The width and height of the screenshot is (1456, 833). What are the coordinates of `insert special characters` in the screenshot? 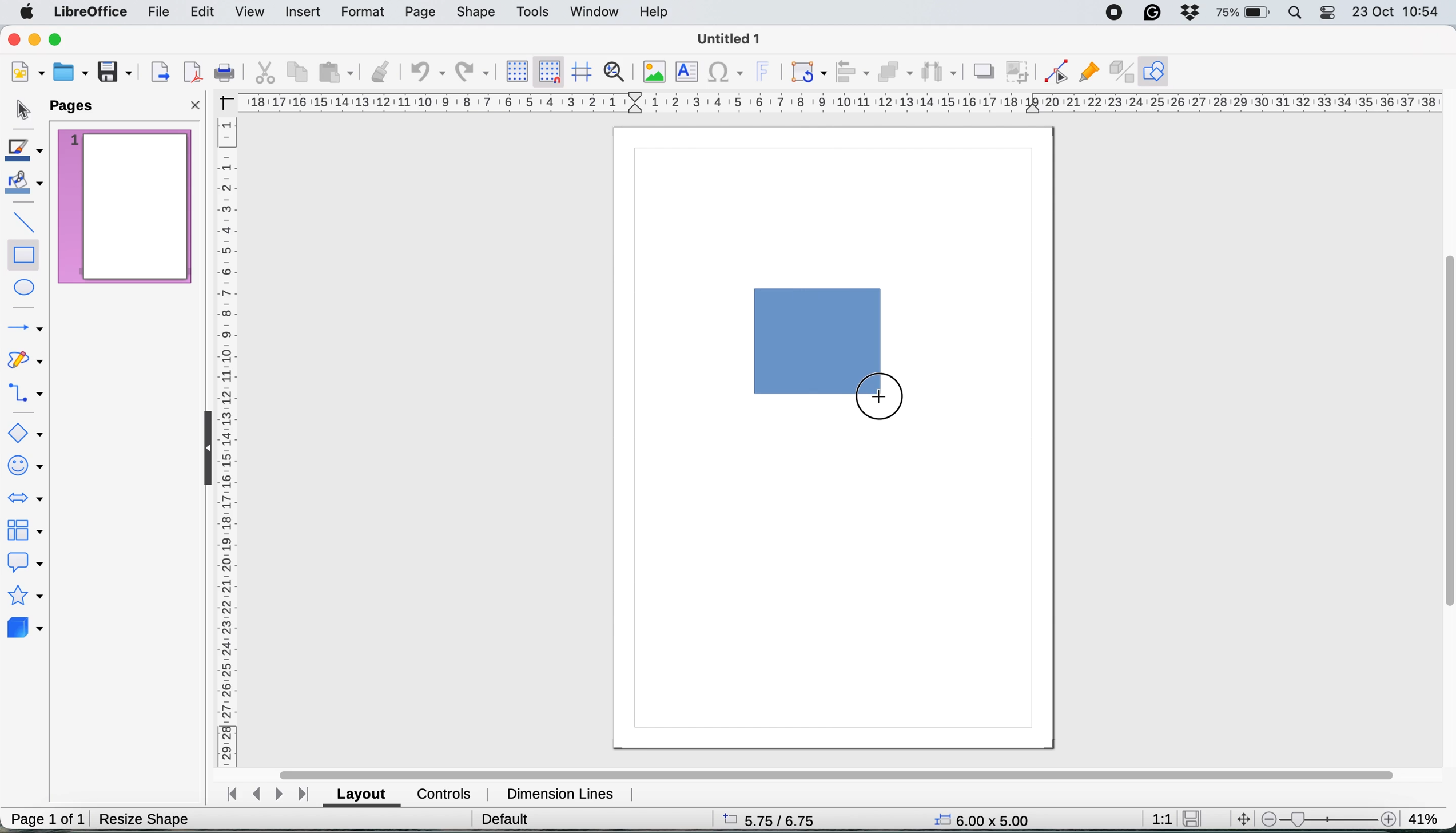 It's located at (726, 74).